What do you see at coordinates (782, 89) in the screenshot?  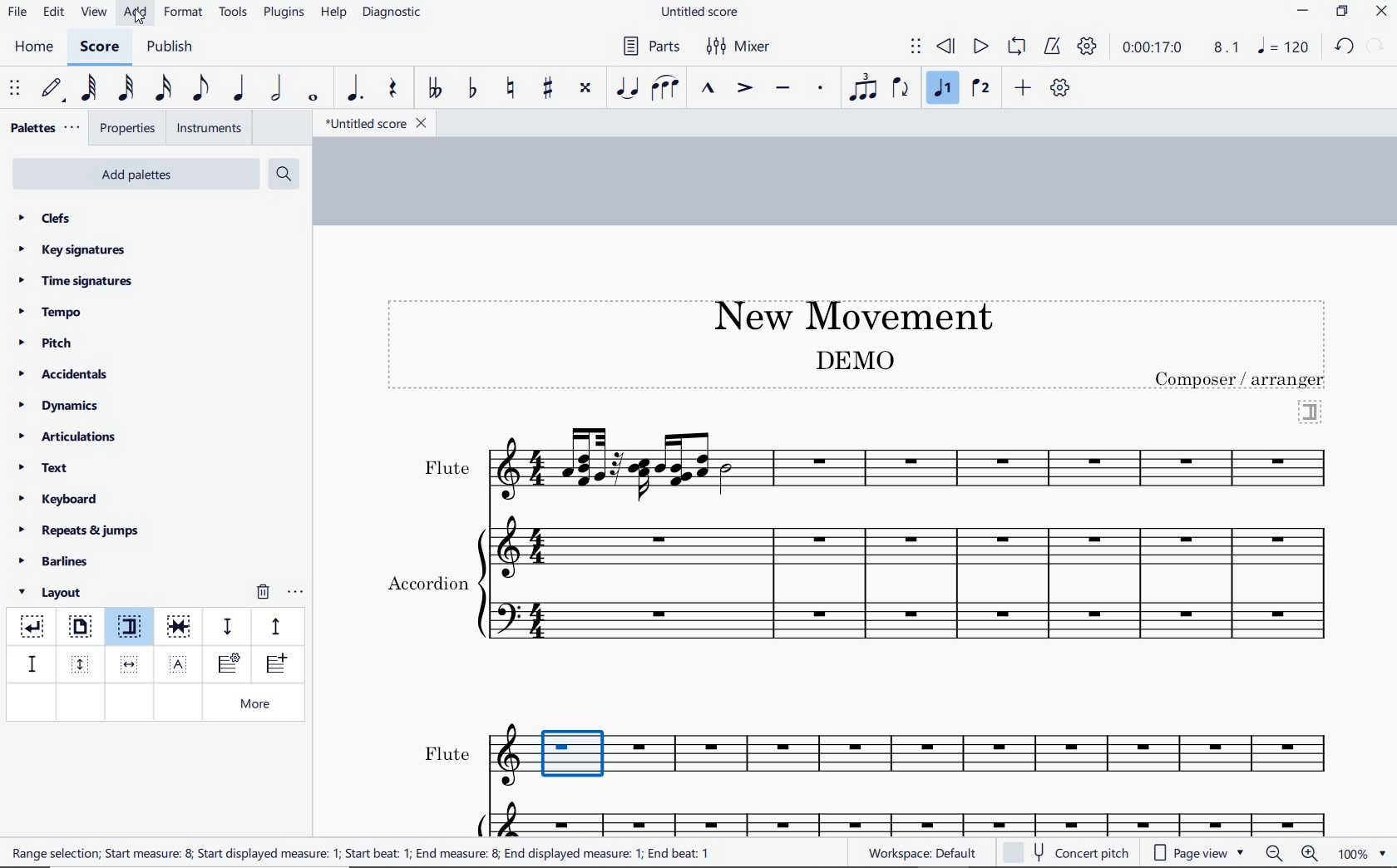 I see `tenuto` at bounding box center [782, 89].